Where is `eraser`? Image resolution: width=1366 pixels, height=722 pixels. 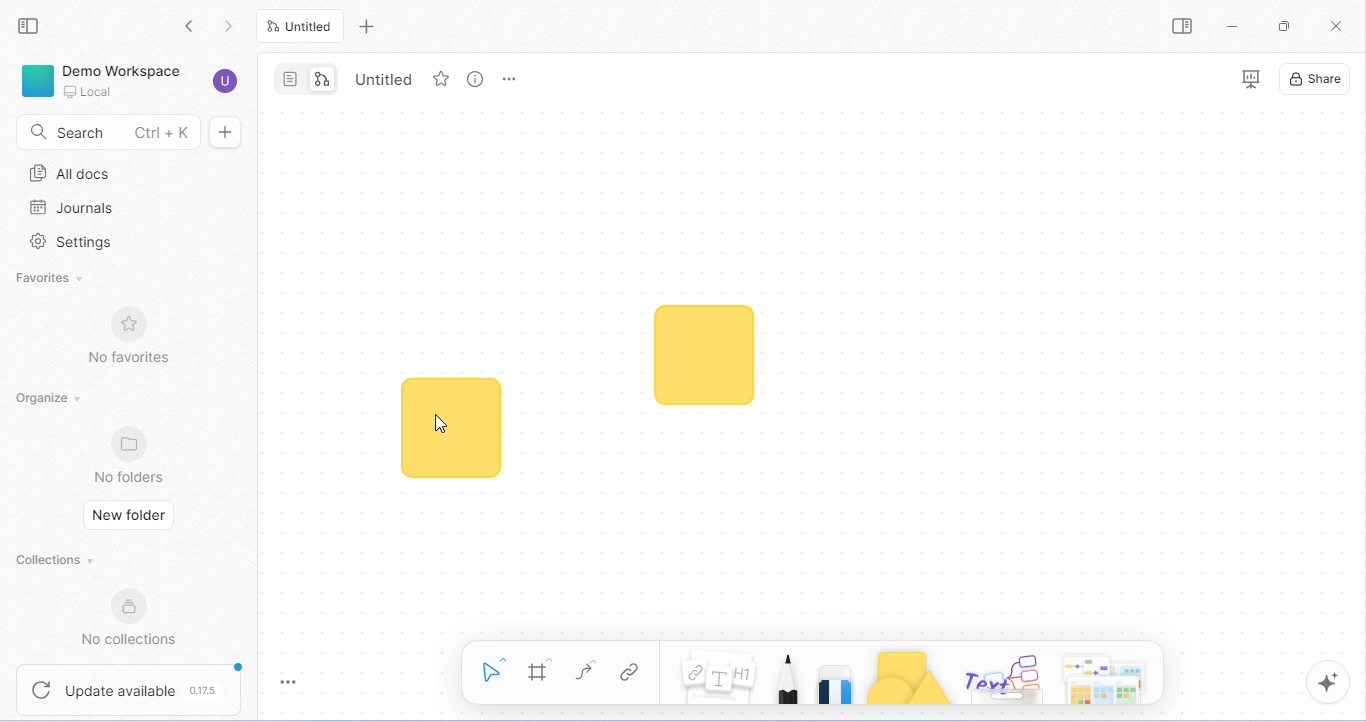 eraser is located at coordinates (838, 677).